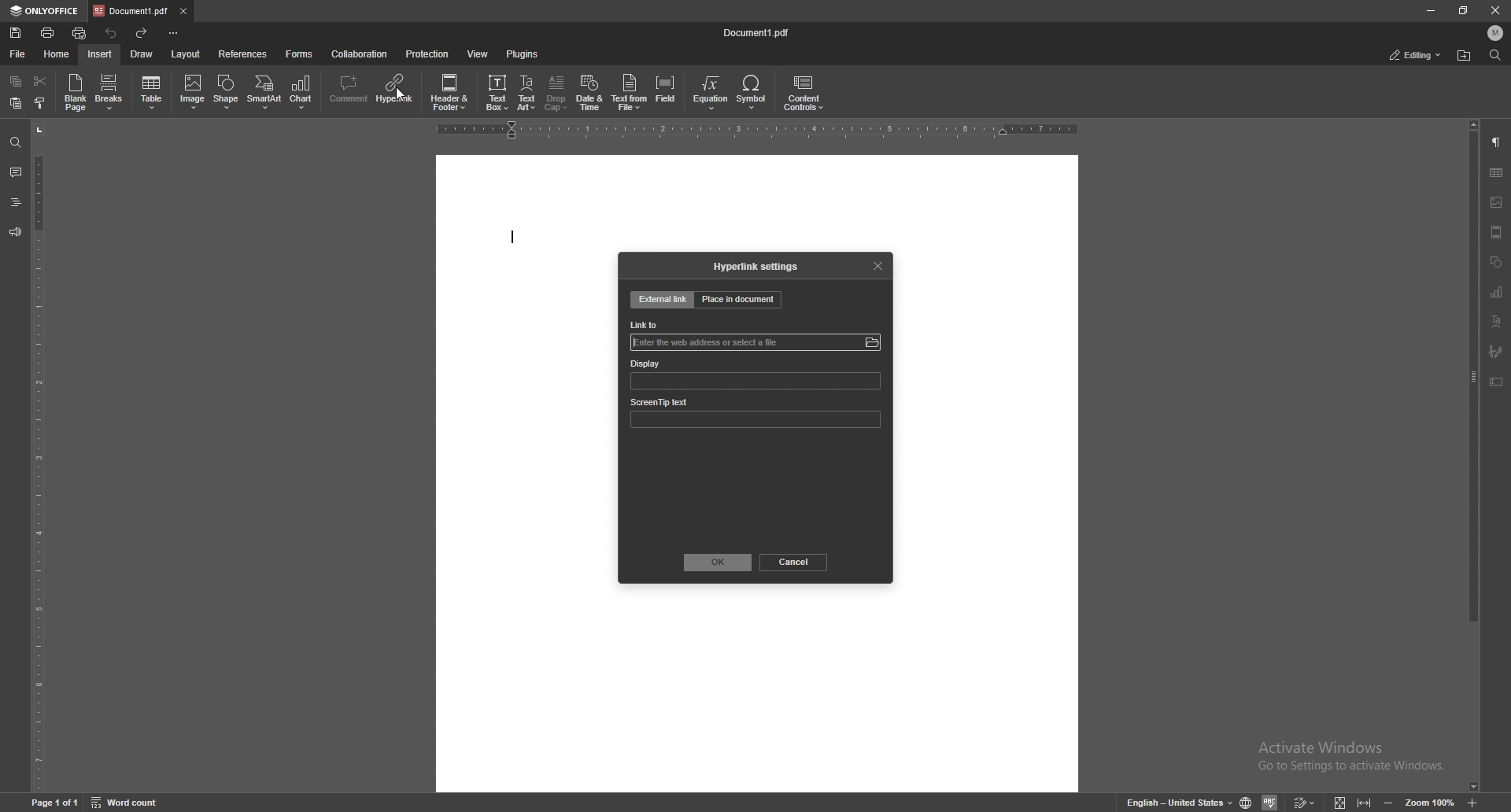 Image resolution: width=1511 pixels, height=812 pixels. I want to click on close, so click(877, 264).